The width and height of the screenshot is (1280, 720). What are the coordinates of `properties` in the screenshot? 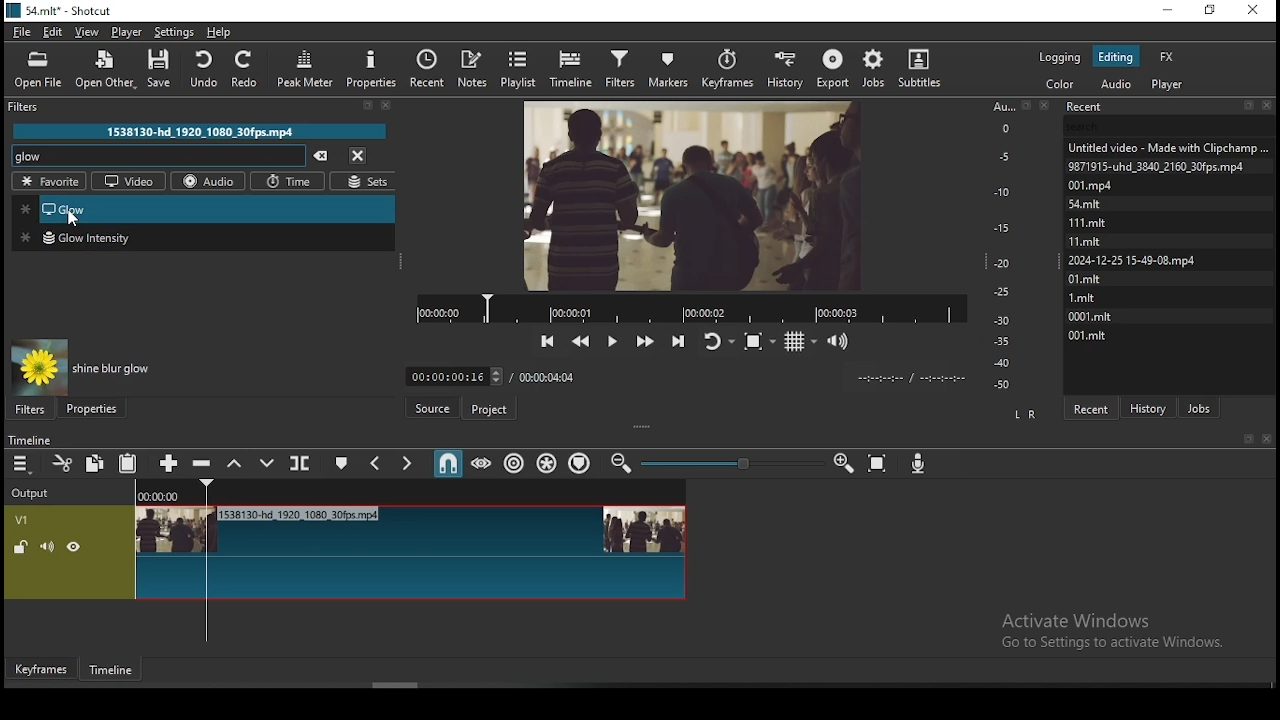 It's located at (91, 407).